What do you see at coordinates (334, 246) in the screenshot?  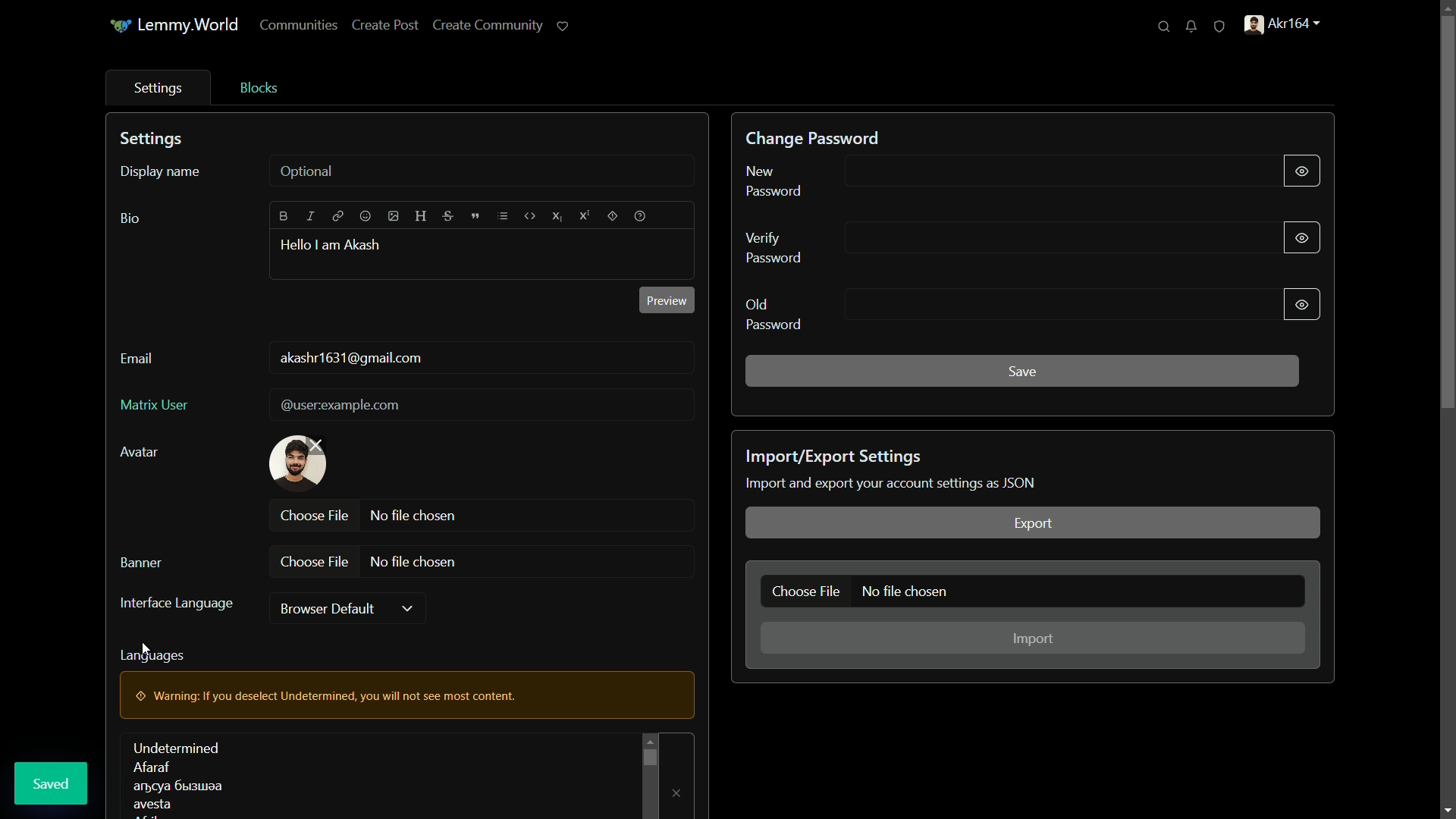 I see `hello i am akash` at bounding box center [334, 246].